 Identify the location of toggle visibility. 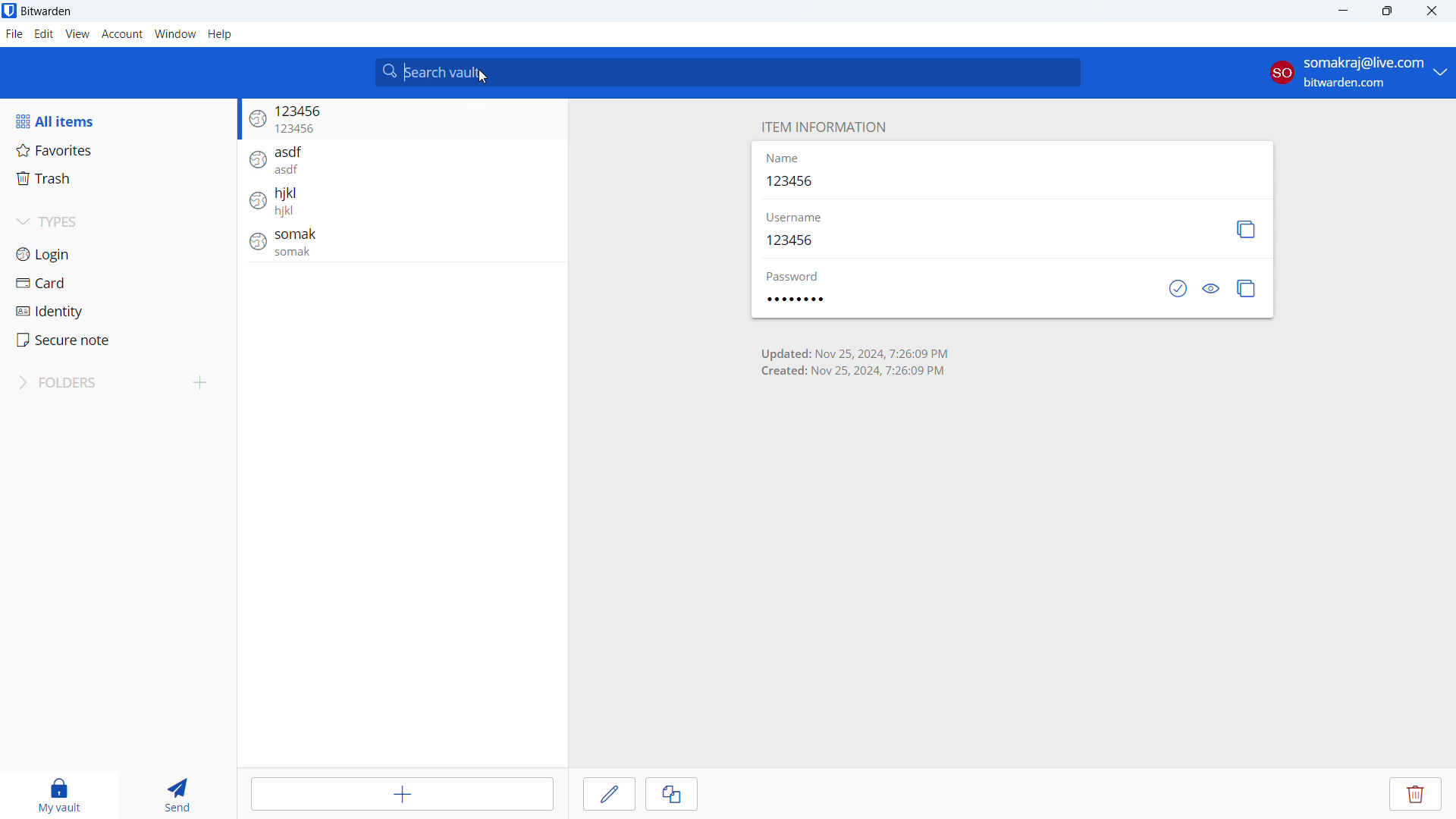
(1212, 289).